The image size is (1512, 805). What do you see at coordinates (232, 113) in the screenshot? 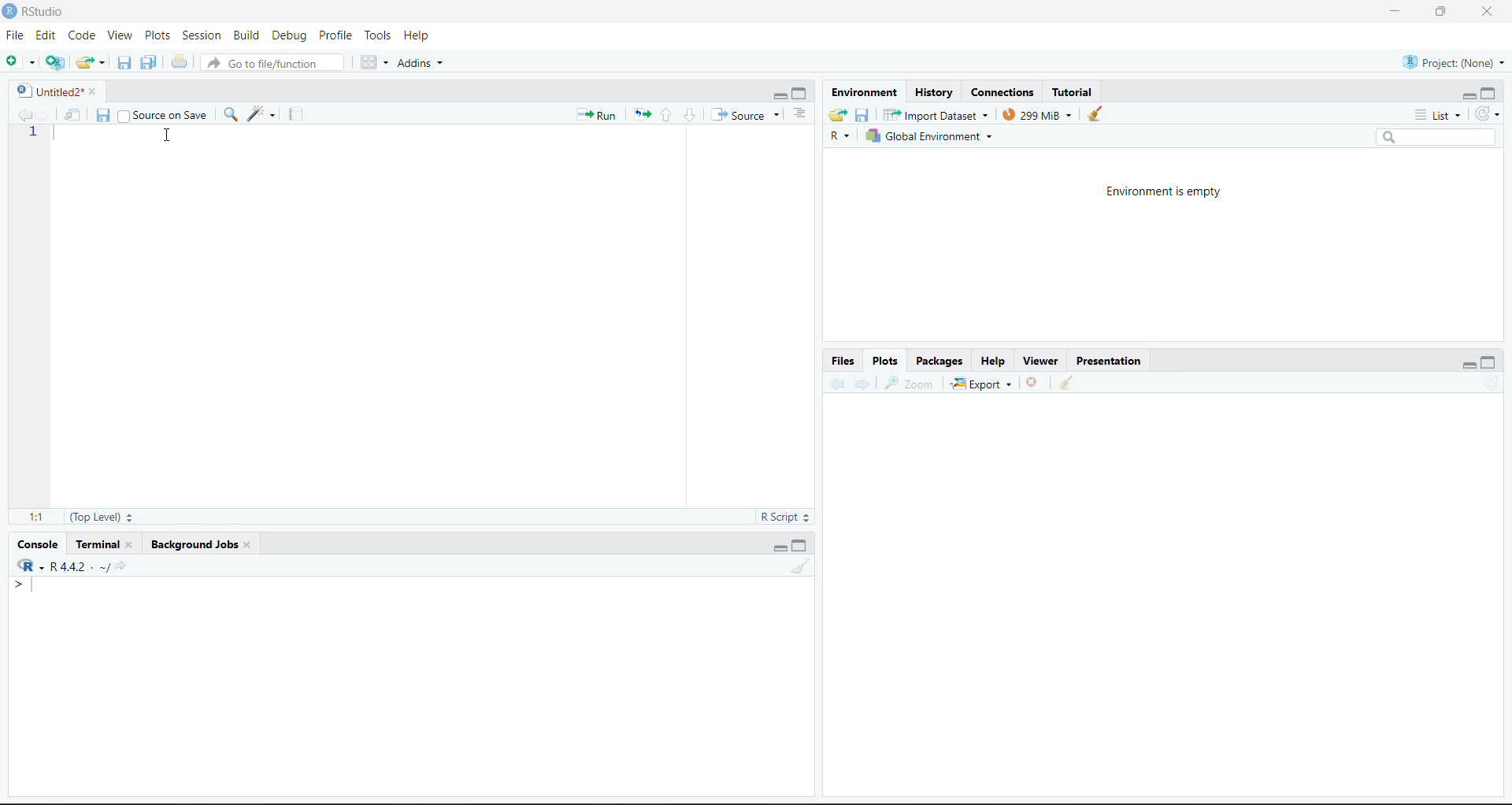
I see `find/replace` at bounding box center [232, 113].